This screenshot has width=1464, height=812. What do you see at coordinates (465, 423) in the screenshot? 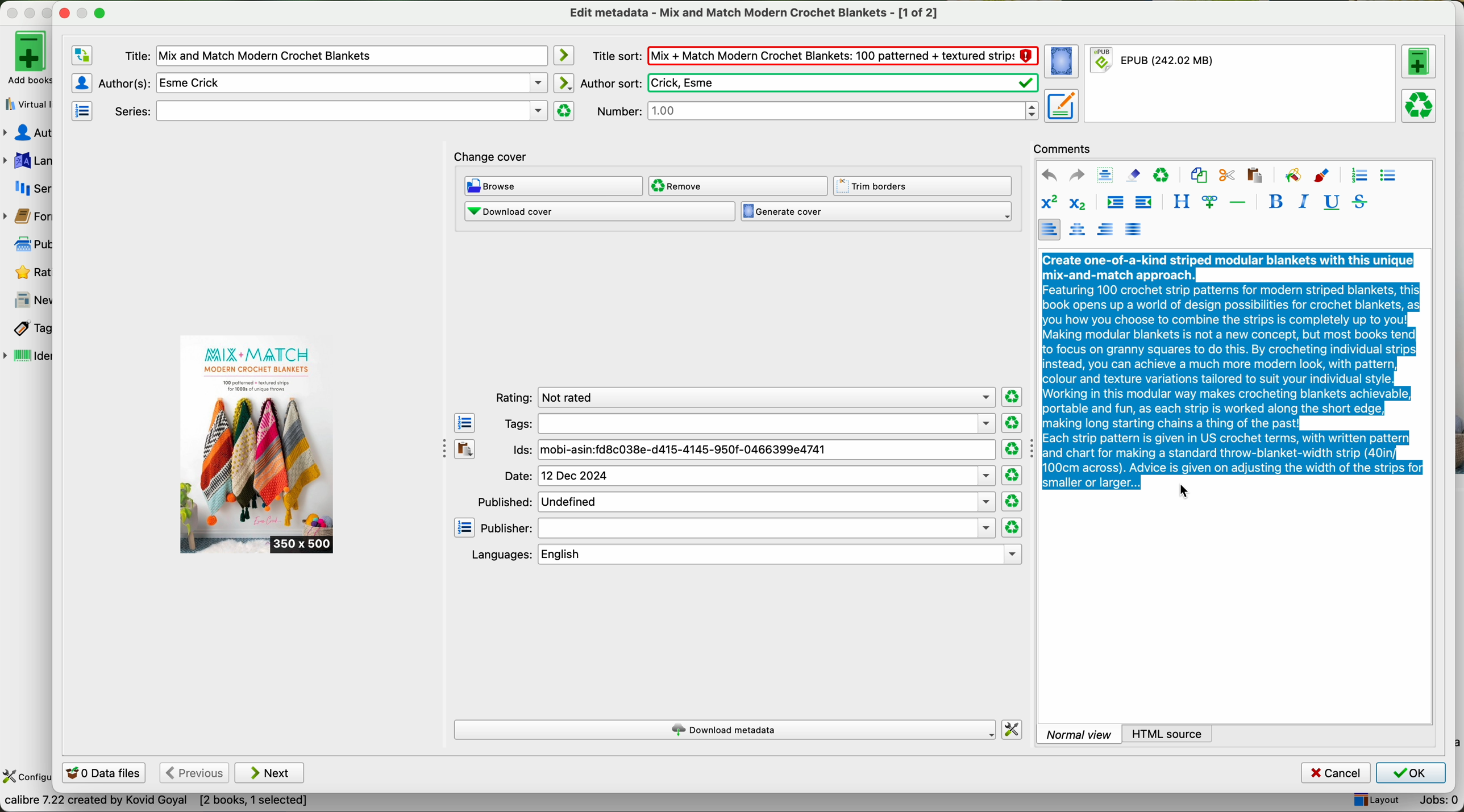
I see `open the tag editor` at bounding box center [465, 423].